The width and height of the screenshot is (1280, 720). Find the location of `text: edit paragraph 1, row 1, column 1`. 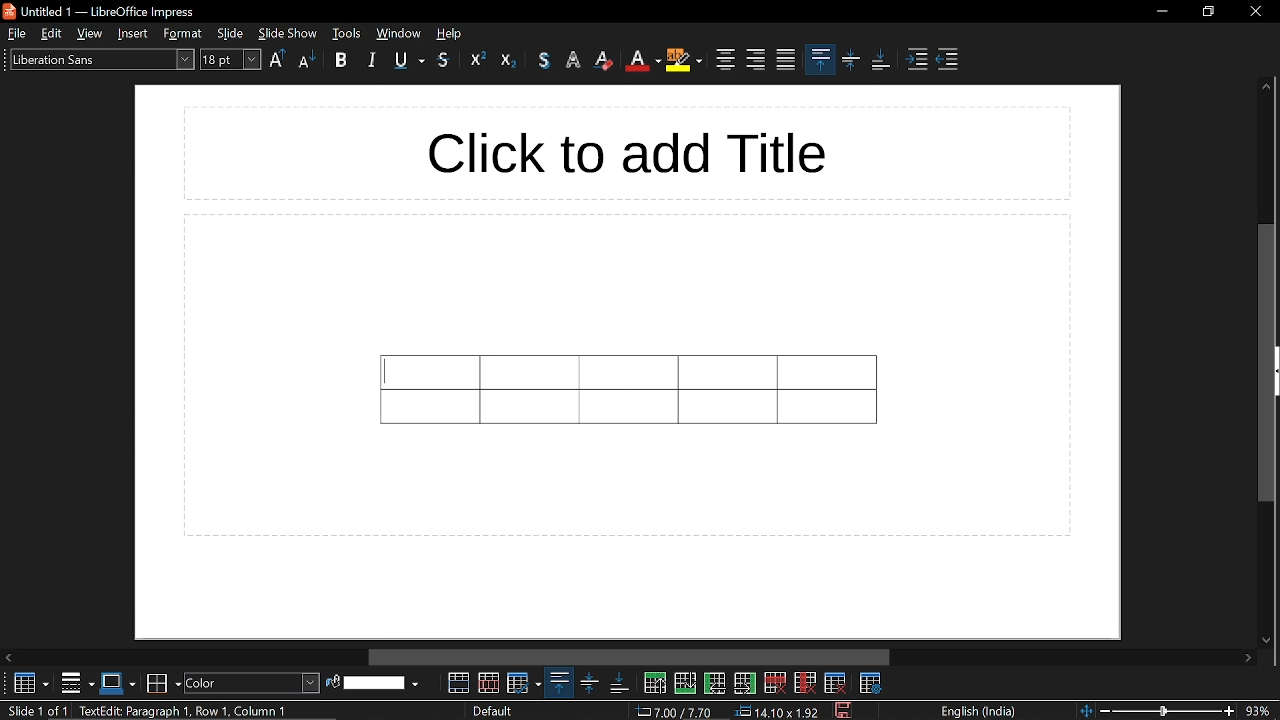

text: edit paragraph 1, row 1, column 1 is located at coordinates (181, 711).